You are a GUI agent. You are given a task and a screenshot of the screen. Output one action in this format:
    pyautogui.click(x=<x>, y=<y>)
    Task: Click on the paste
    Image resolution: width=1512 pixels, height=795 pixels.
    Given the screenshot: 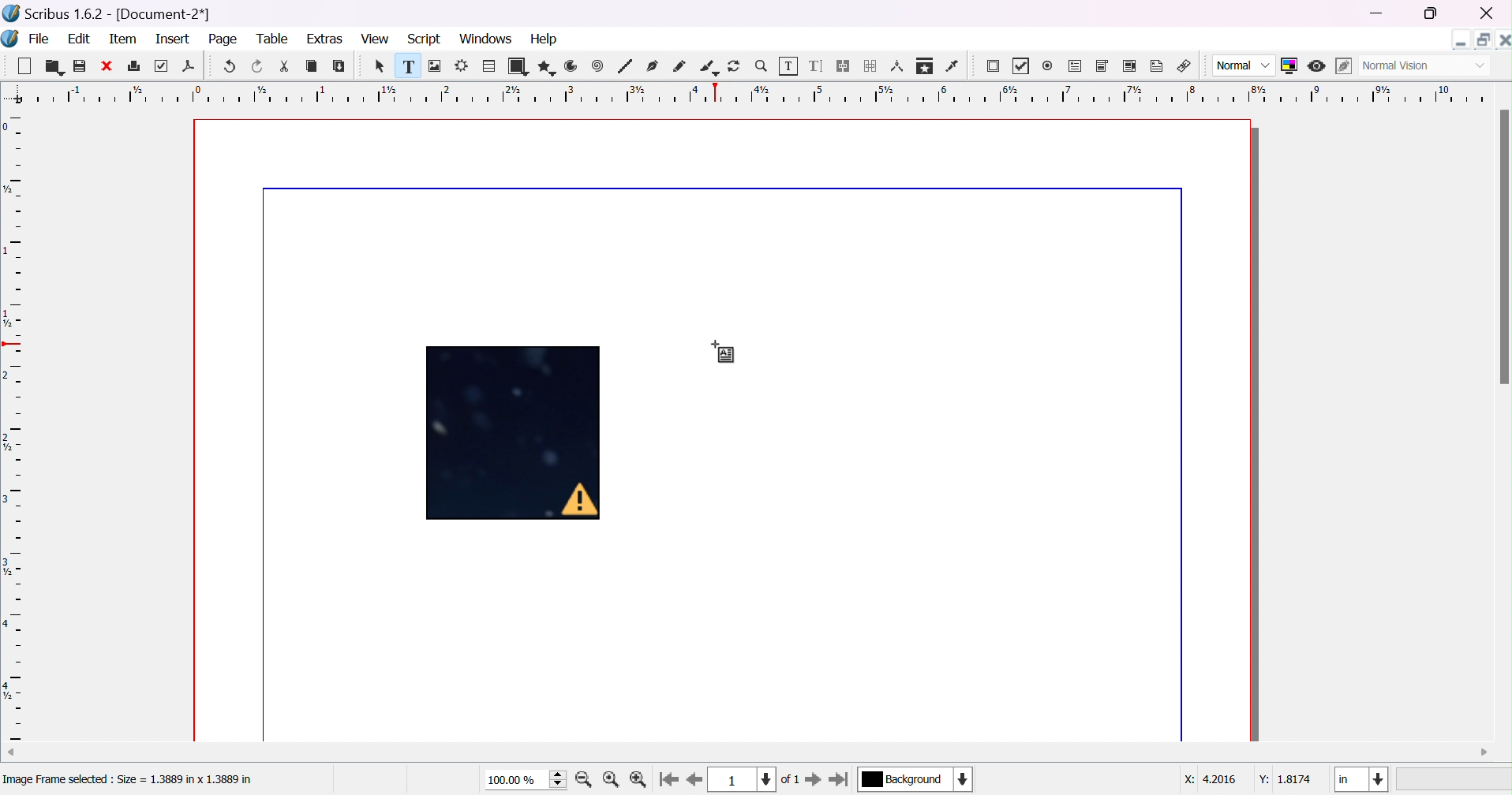 What is the action you would take?
    pyautogui.click(x=339, y=65)
    